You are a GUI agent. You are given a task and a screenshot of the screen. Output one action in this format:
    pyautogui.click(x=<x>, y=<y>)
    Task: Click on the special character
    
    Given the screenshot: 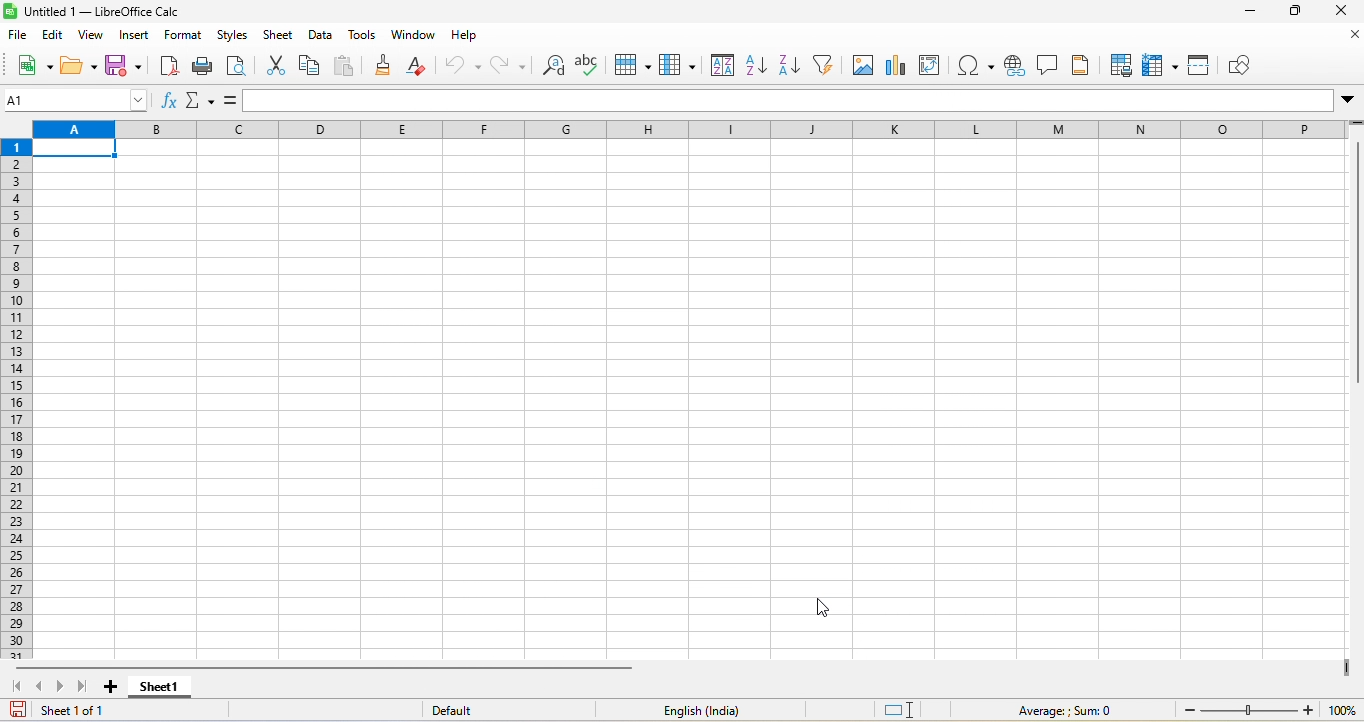 What is the action you would take?
    pyautogui.click(x=976, y=65)
    